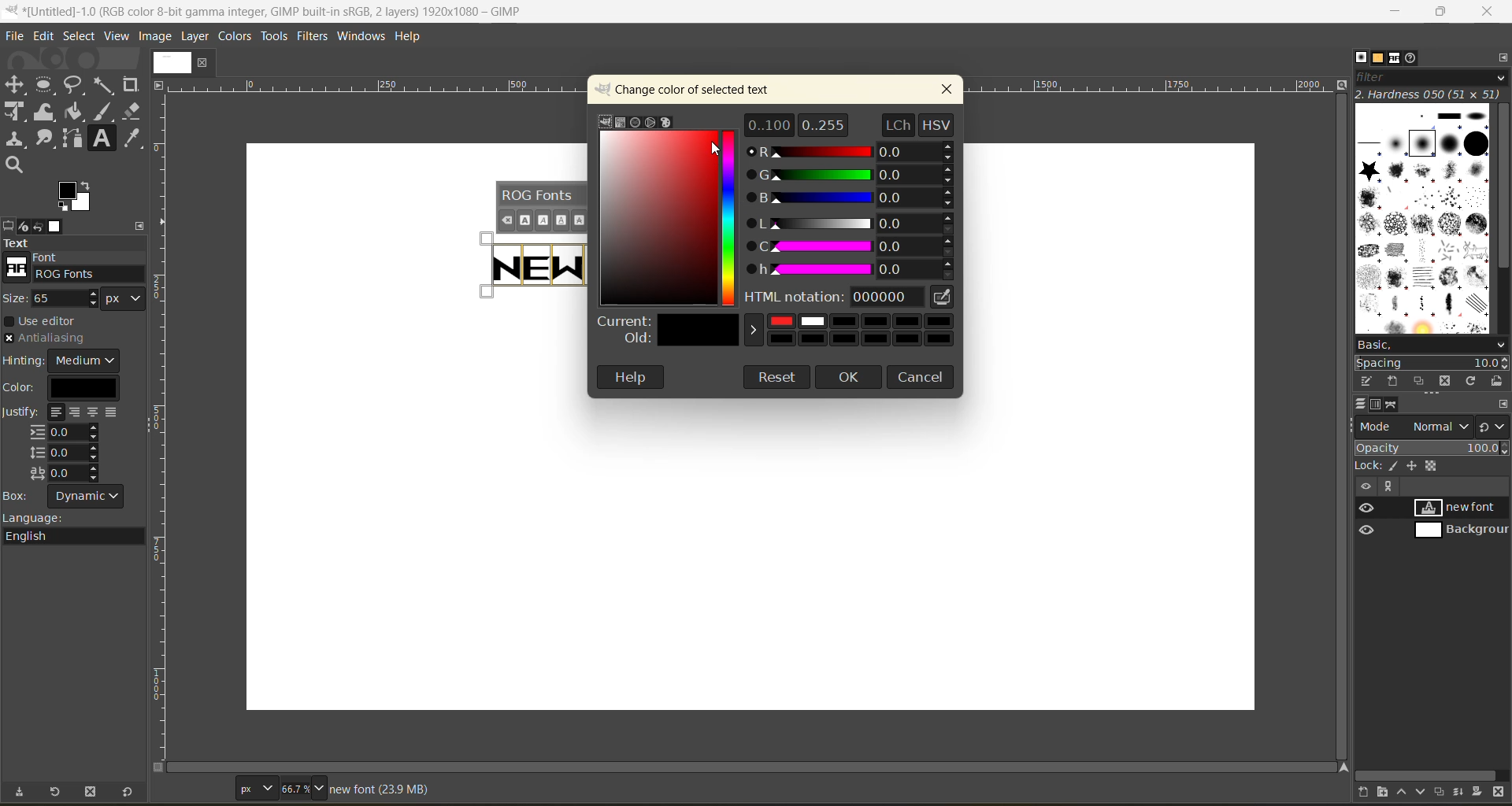  I want to click on create a new layer, so click(1366, 791).